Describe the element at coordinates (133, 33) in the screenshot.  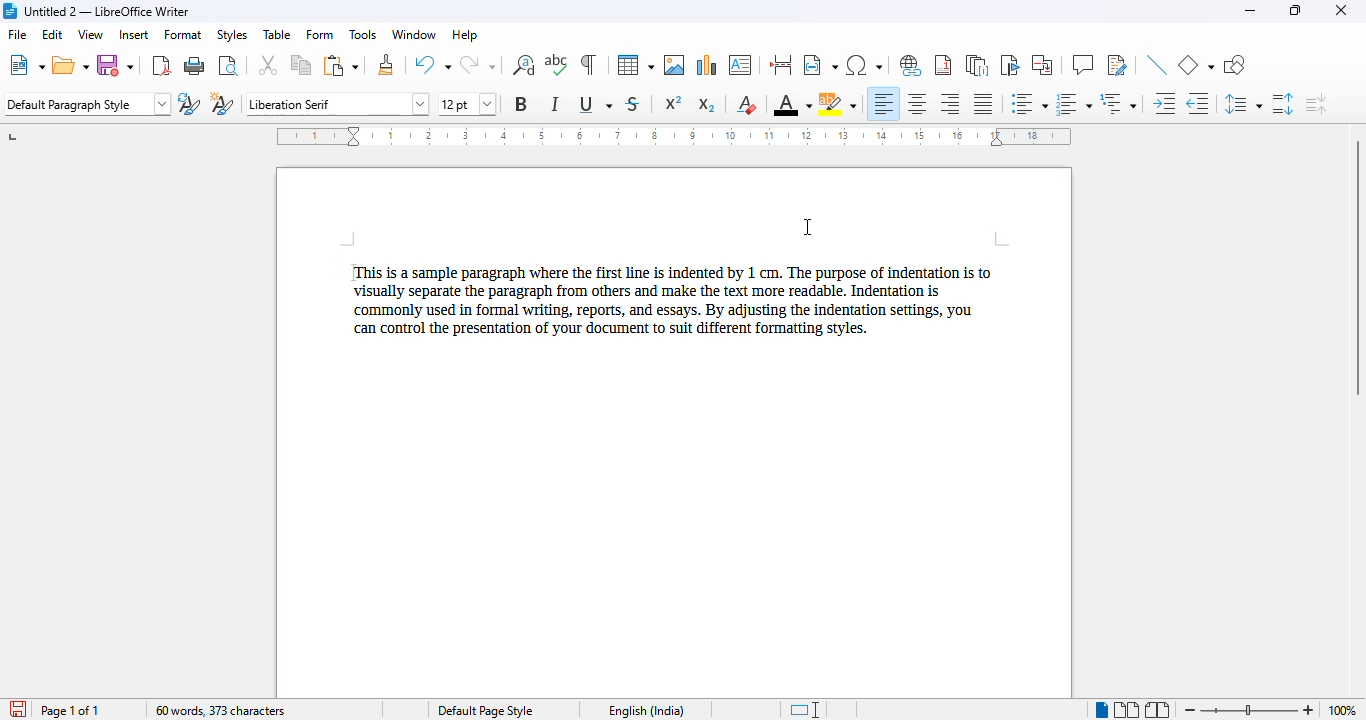
I see `insert` at that location.